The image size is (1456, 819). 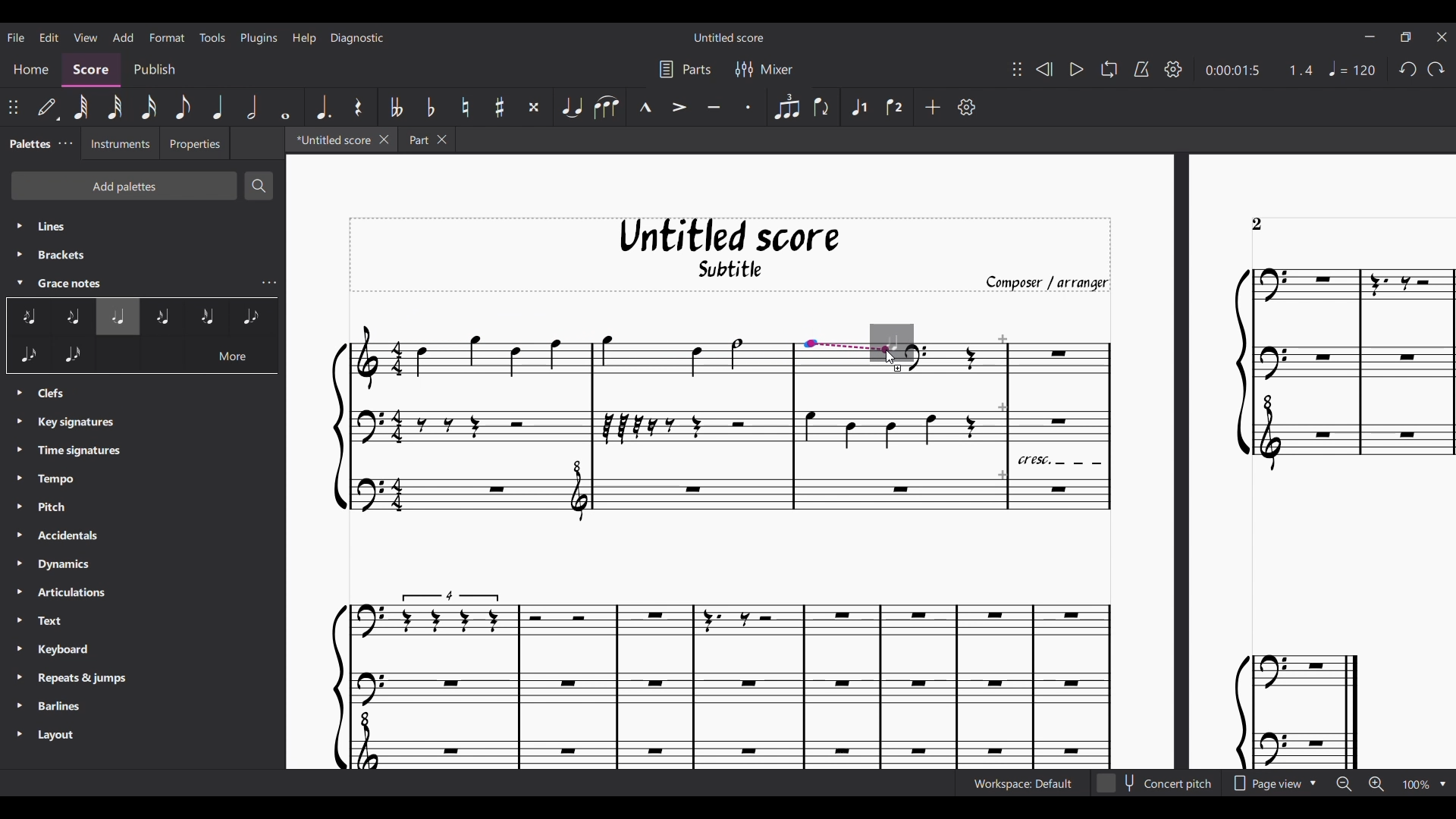 What do you see at coordinates (305, 38) in the screenshot?
I see `Help menu` at bounding box center [305, 38].